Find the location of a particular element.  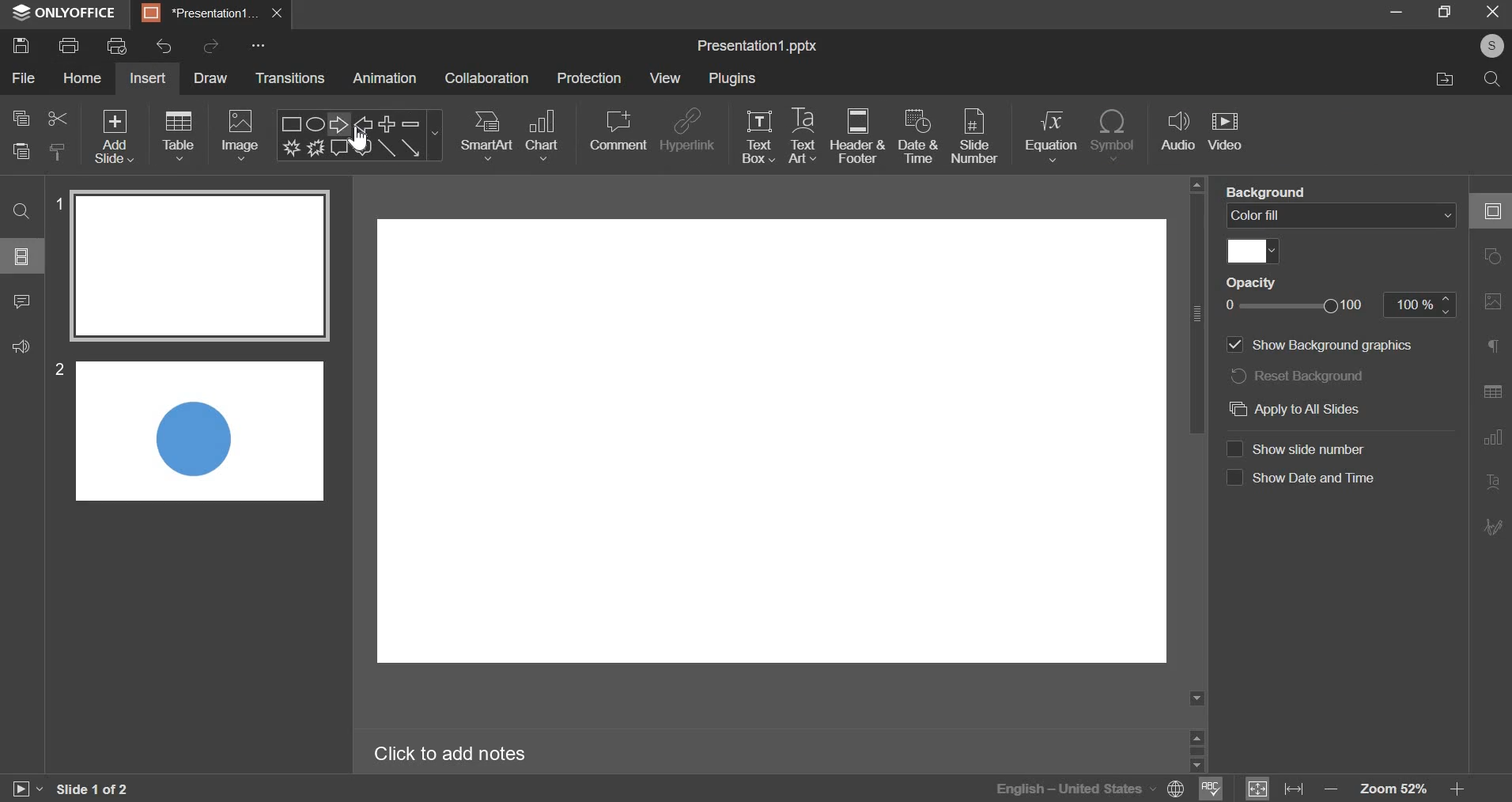

scroll up is located at coordinates (1197, 183).